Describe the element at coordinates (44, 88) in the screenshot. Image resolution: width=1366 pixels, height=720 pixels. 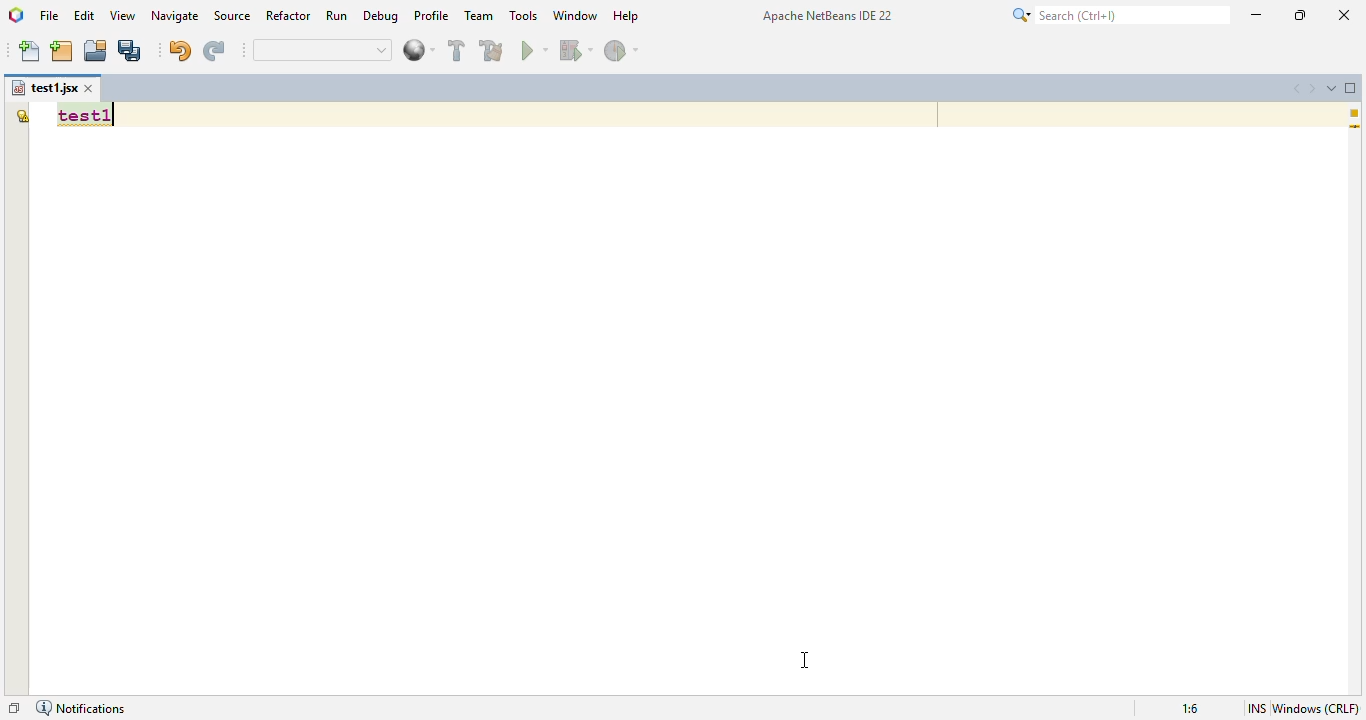
I see `file name` at that location.